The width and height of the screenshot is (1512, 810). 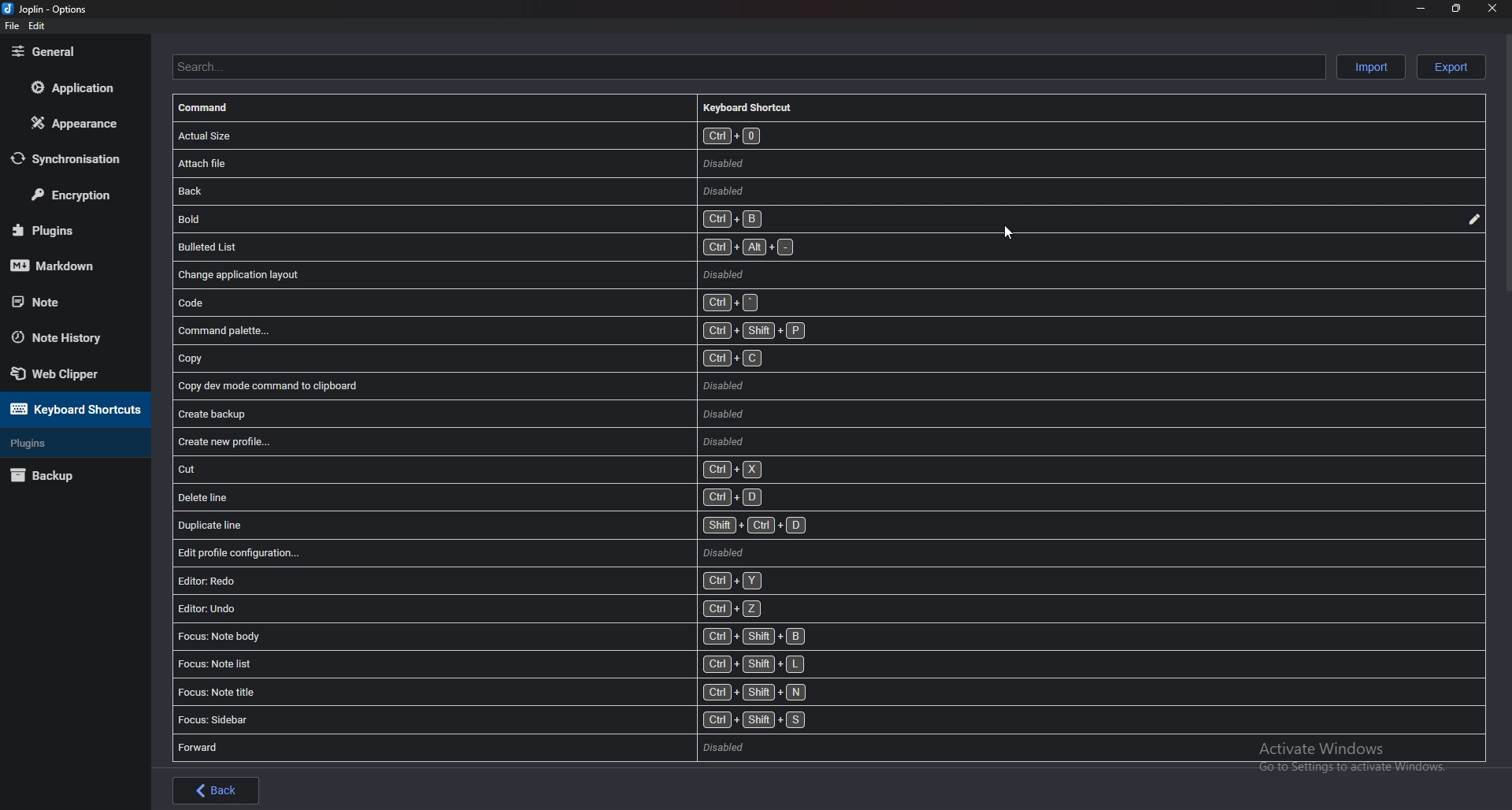 I want to click on back, so click(x=611, y=190).